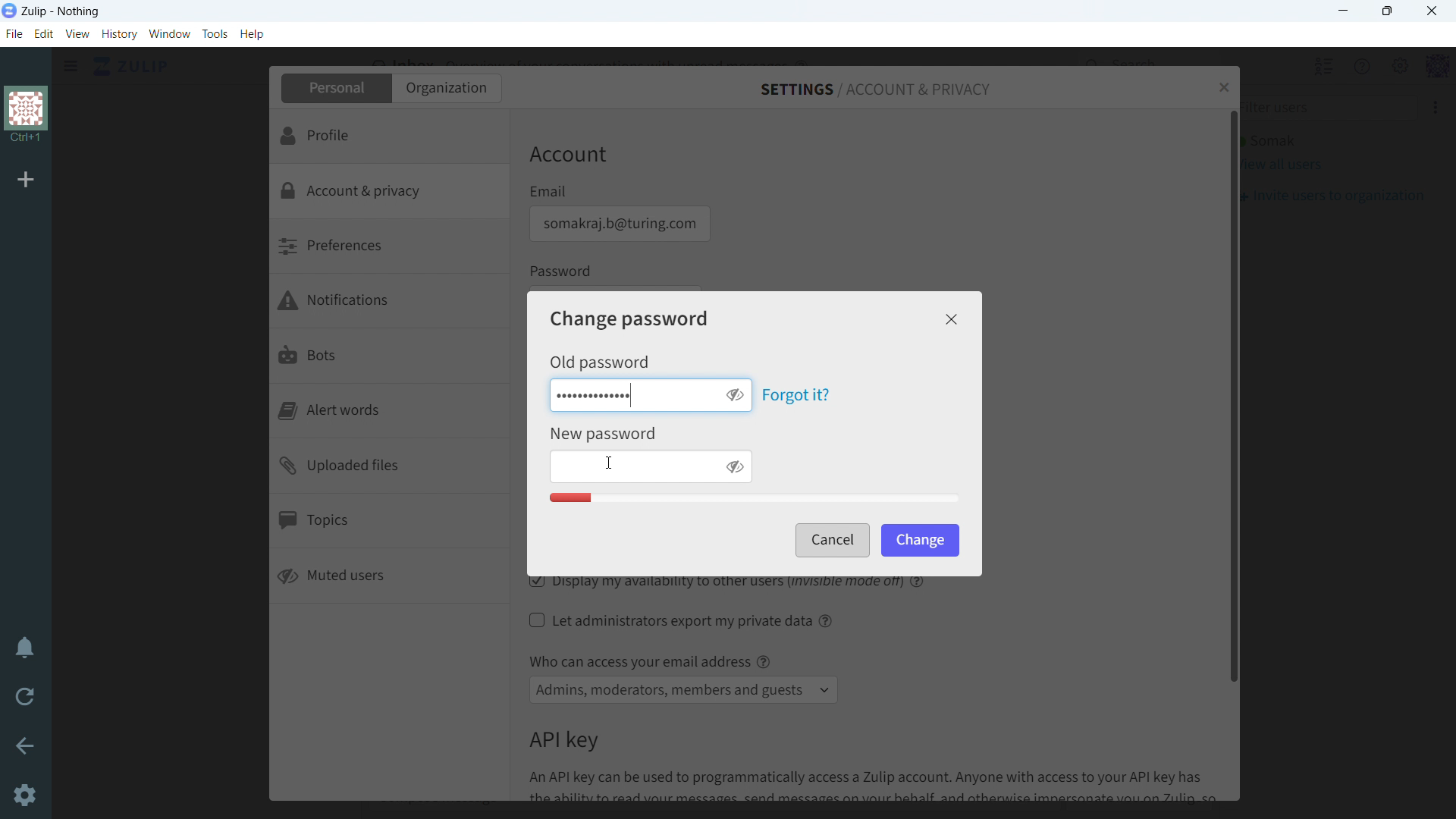 This screenshot has width=1456, height=819. I want to click on bots, so click(391, 358).